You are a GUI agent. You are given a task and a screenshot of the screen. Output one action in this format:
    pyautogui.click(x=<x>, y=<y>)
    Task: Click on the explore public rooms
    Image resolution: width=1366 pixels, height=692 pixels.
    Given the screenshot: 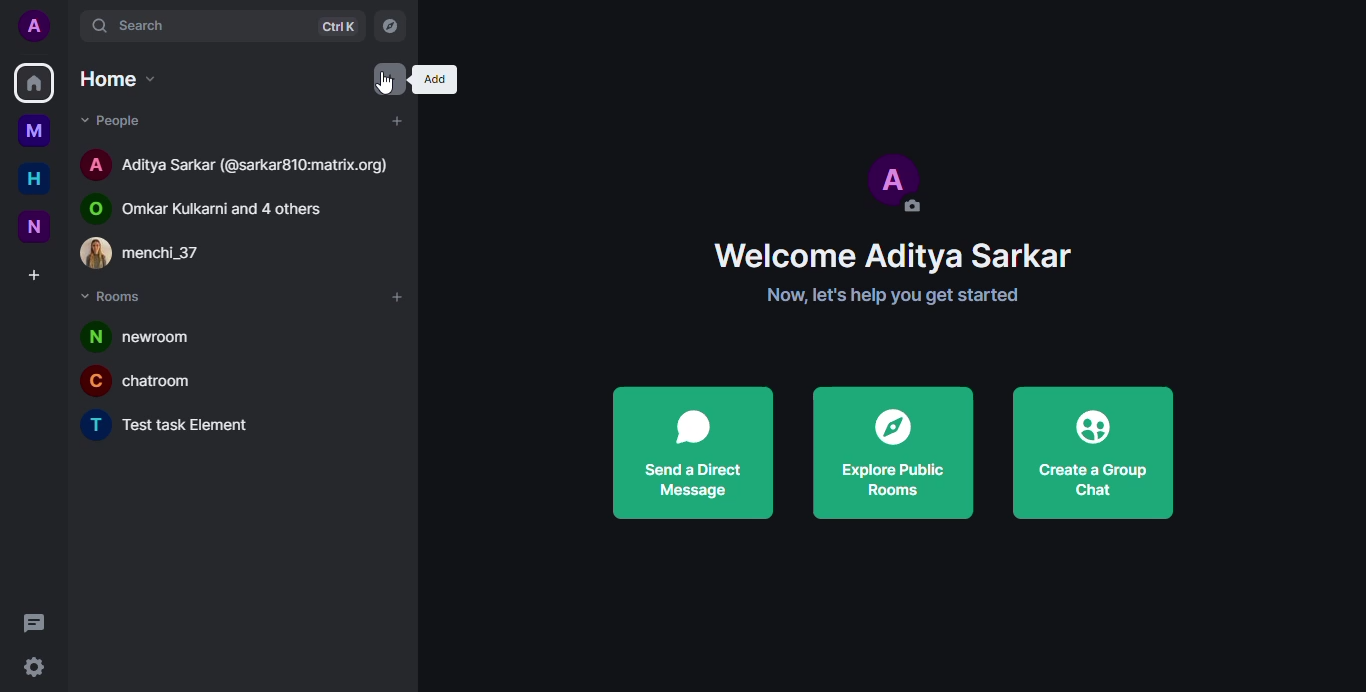 What is the action you would take?
    pyautogui.click(x=893, y=454)
    